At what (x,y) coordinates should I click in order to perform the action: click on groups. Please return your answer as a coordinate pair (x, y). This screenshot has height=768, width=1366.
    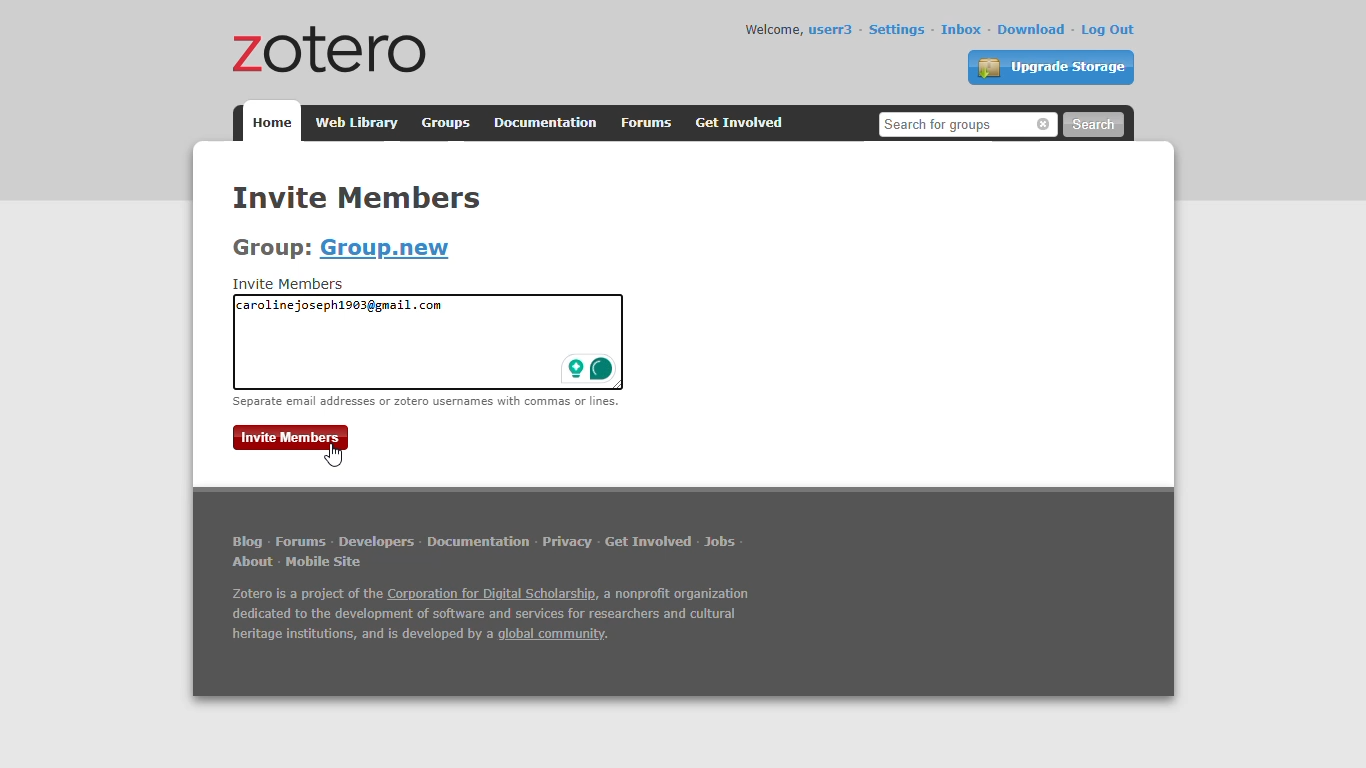
    Looking at the image, I should click on (447, 123).